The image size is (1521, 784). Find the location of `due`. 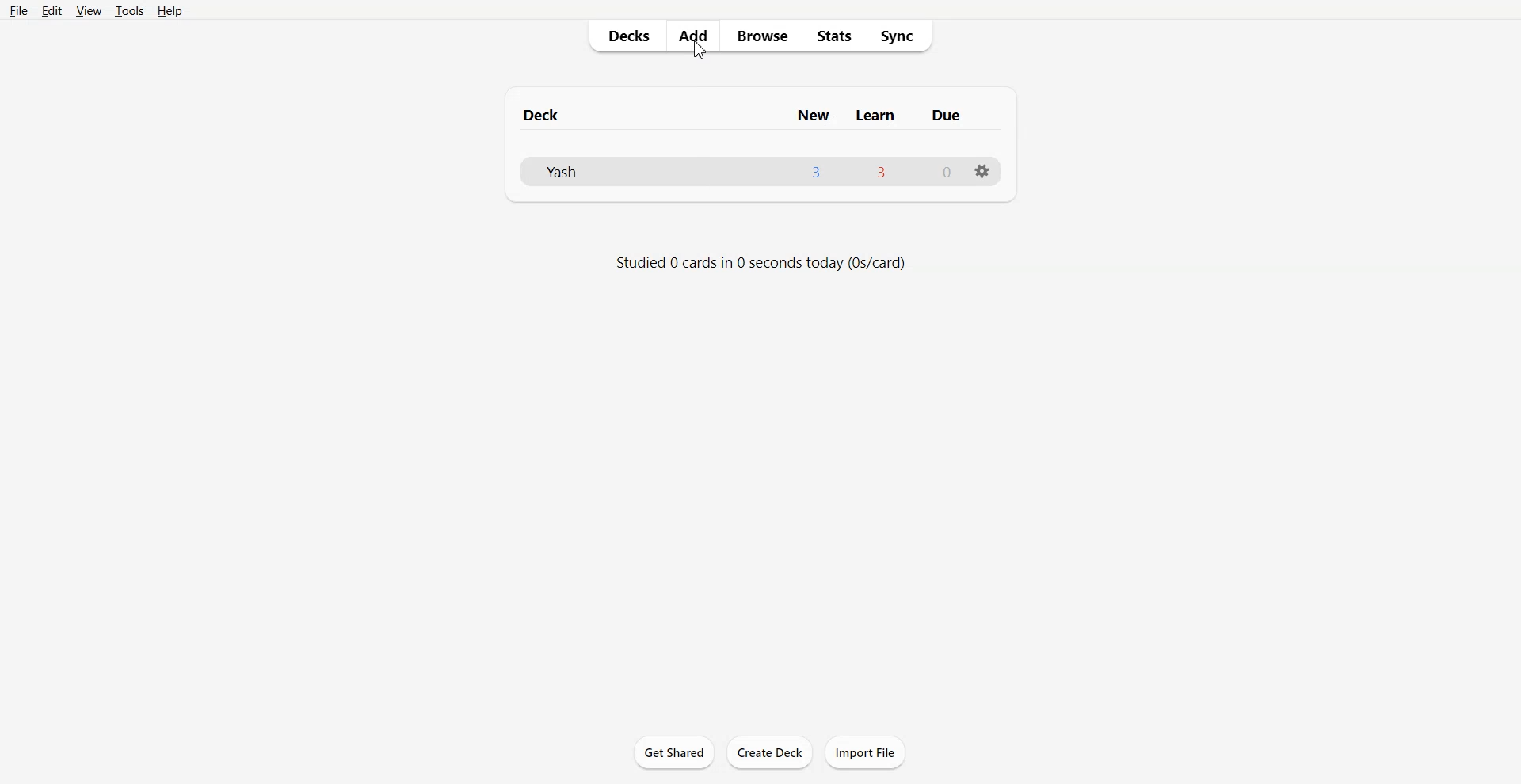

due is located at coordinates (945, 115).